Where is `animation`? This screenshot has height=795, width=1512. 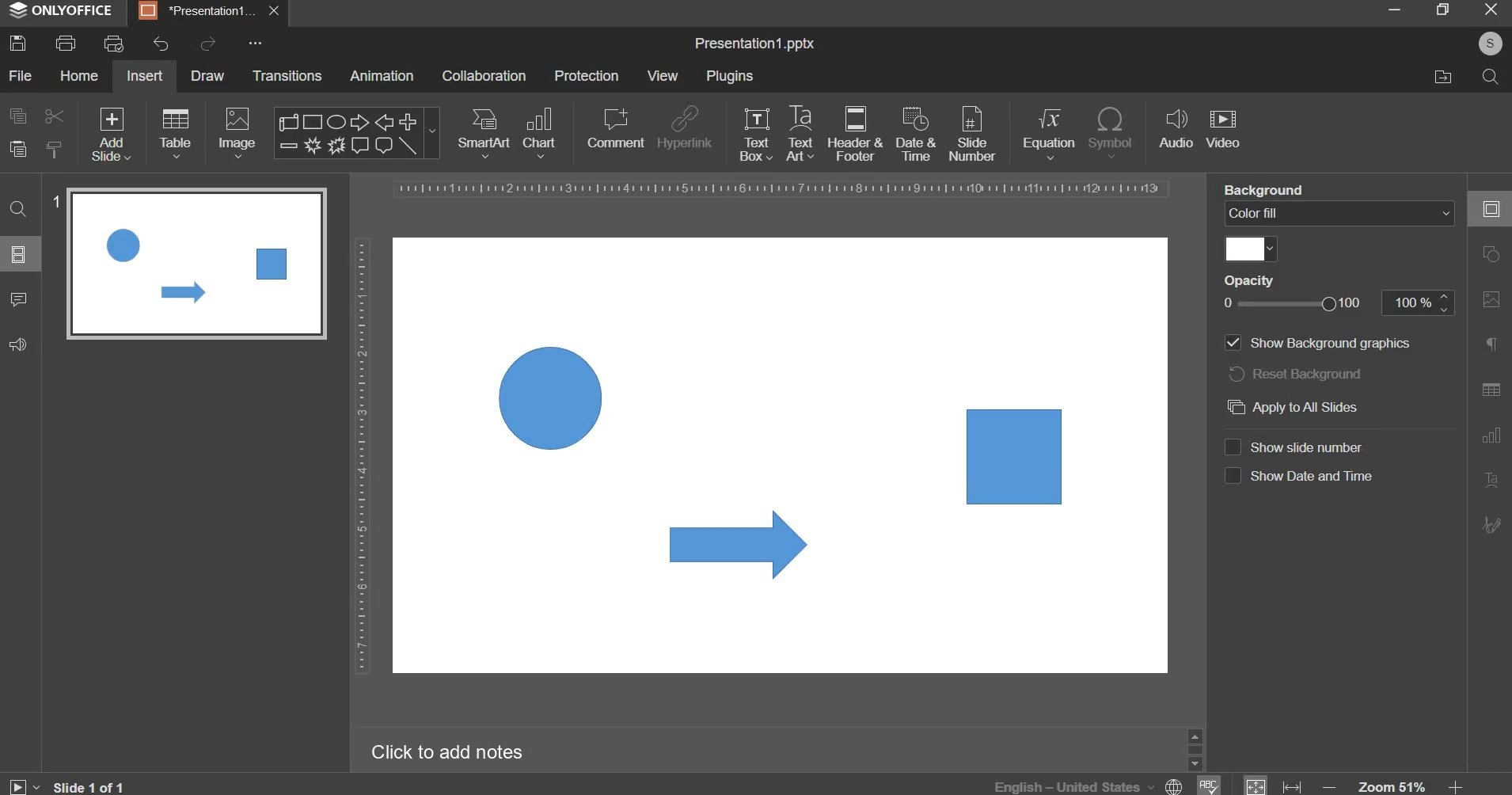 animation is located at coordinates (382, 75).